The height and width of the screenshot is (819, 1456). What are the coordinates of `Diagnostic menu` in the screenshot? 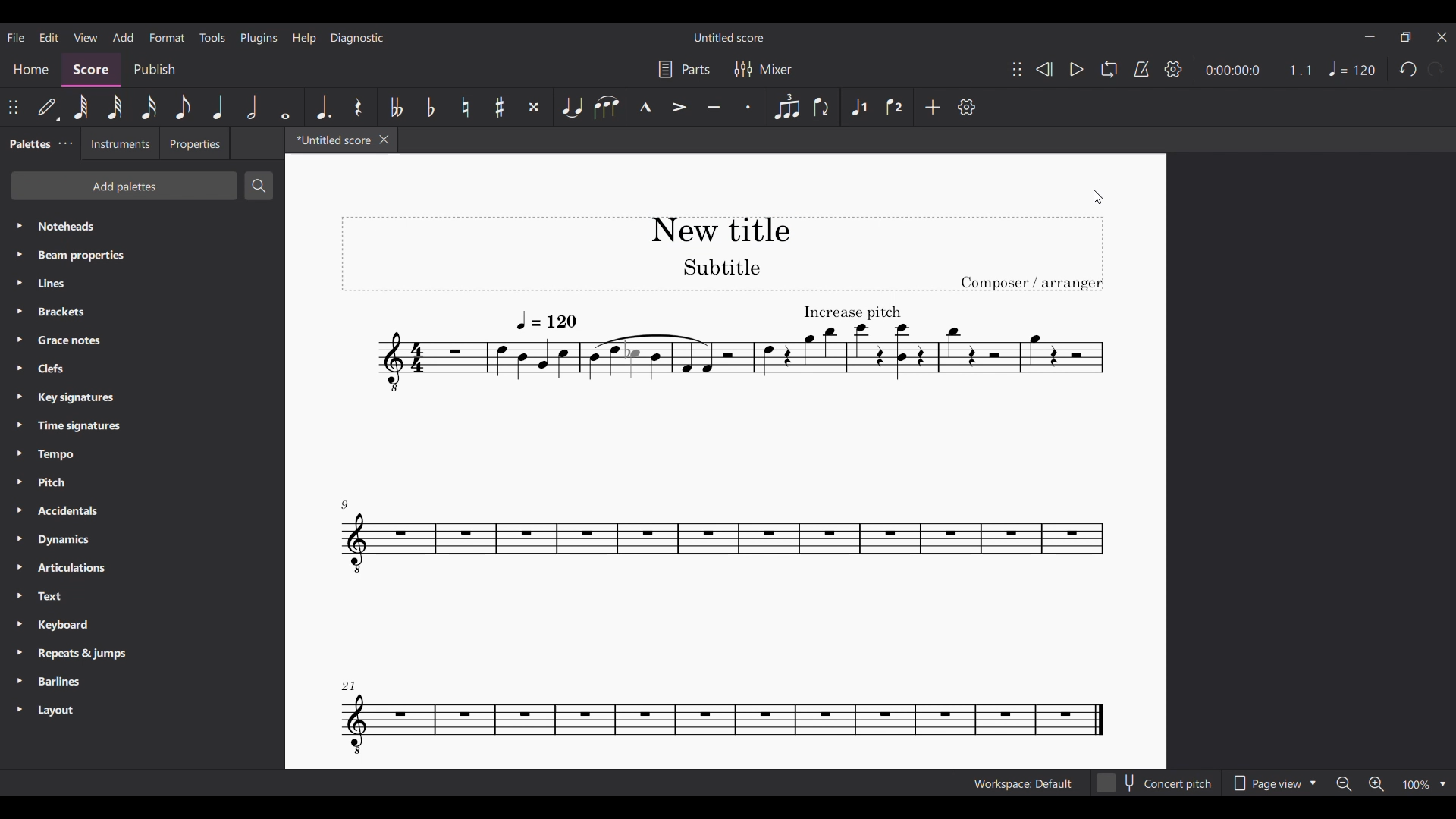 It's located at (357, 38).